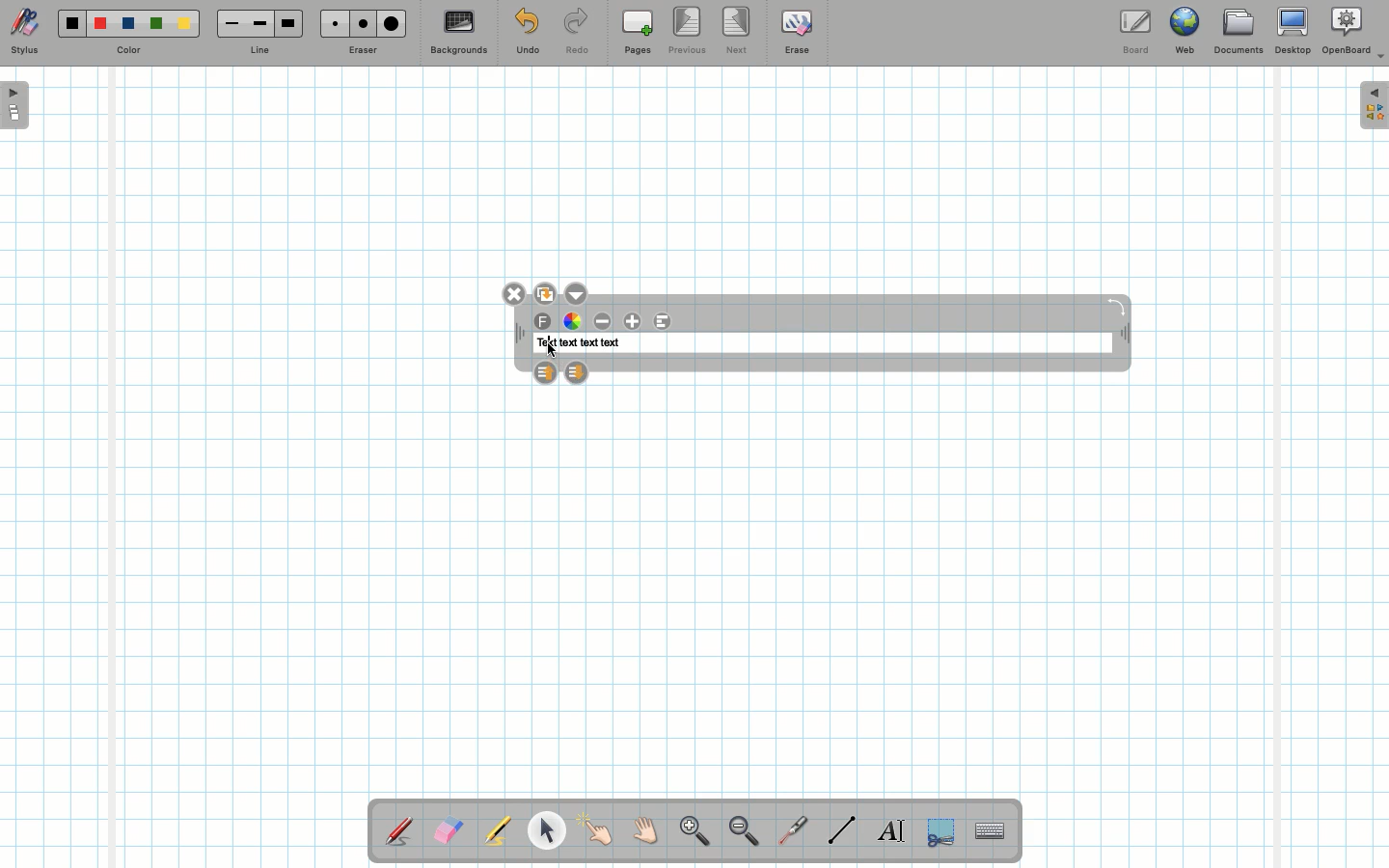 This screenshot has height=868, width=1389. What do you see at coordinates (893, 827) in the screenshot?
I see `Write text` at bounding box center [893, 827].